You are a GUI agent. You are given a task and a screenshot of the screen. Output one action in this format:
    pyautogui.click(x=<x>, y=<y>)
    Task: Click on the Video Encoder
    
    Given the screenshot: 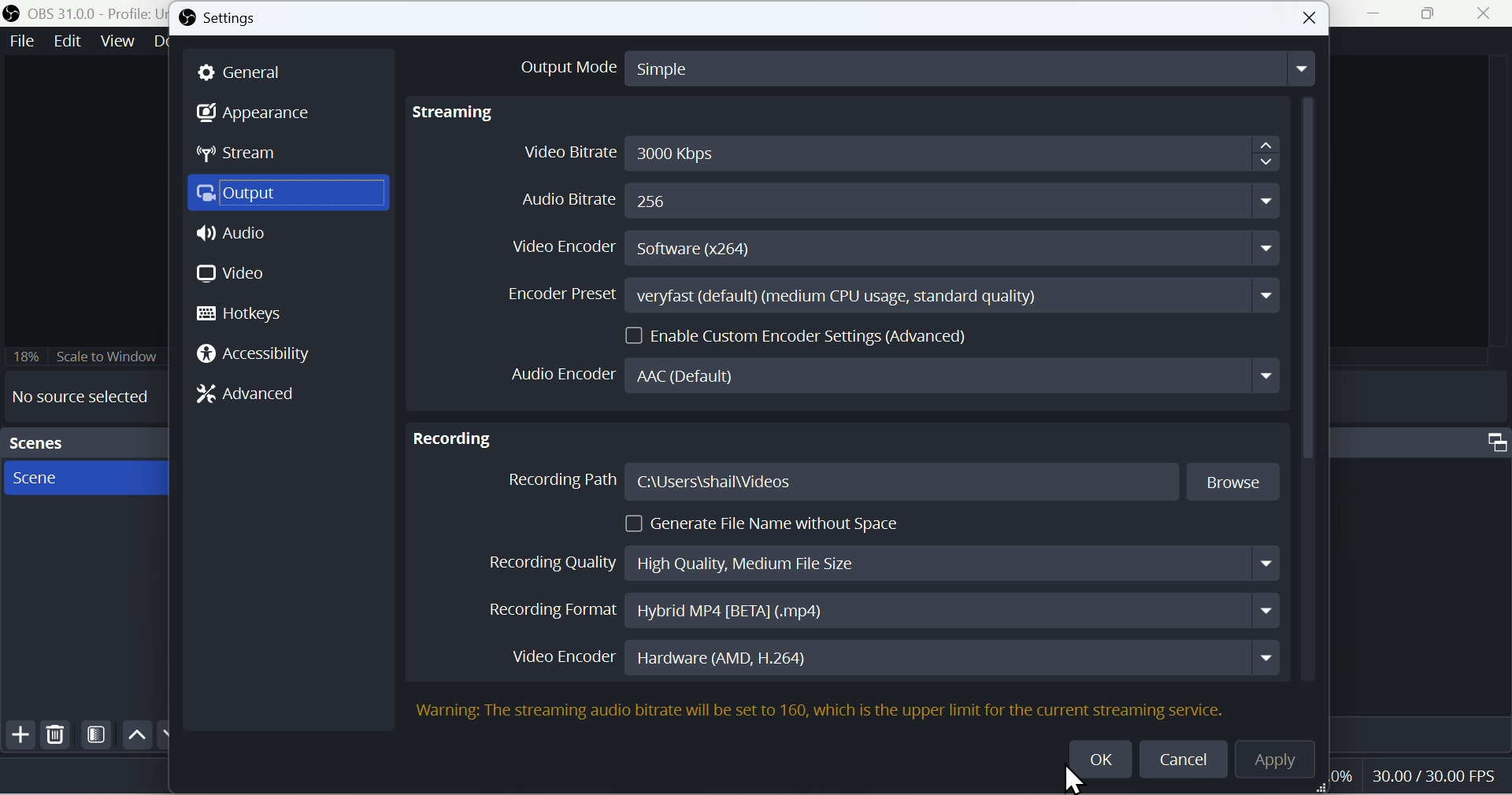 What is the action you would take?
    pyautogui.click(x=886, y=656)
    